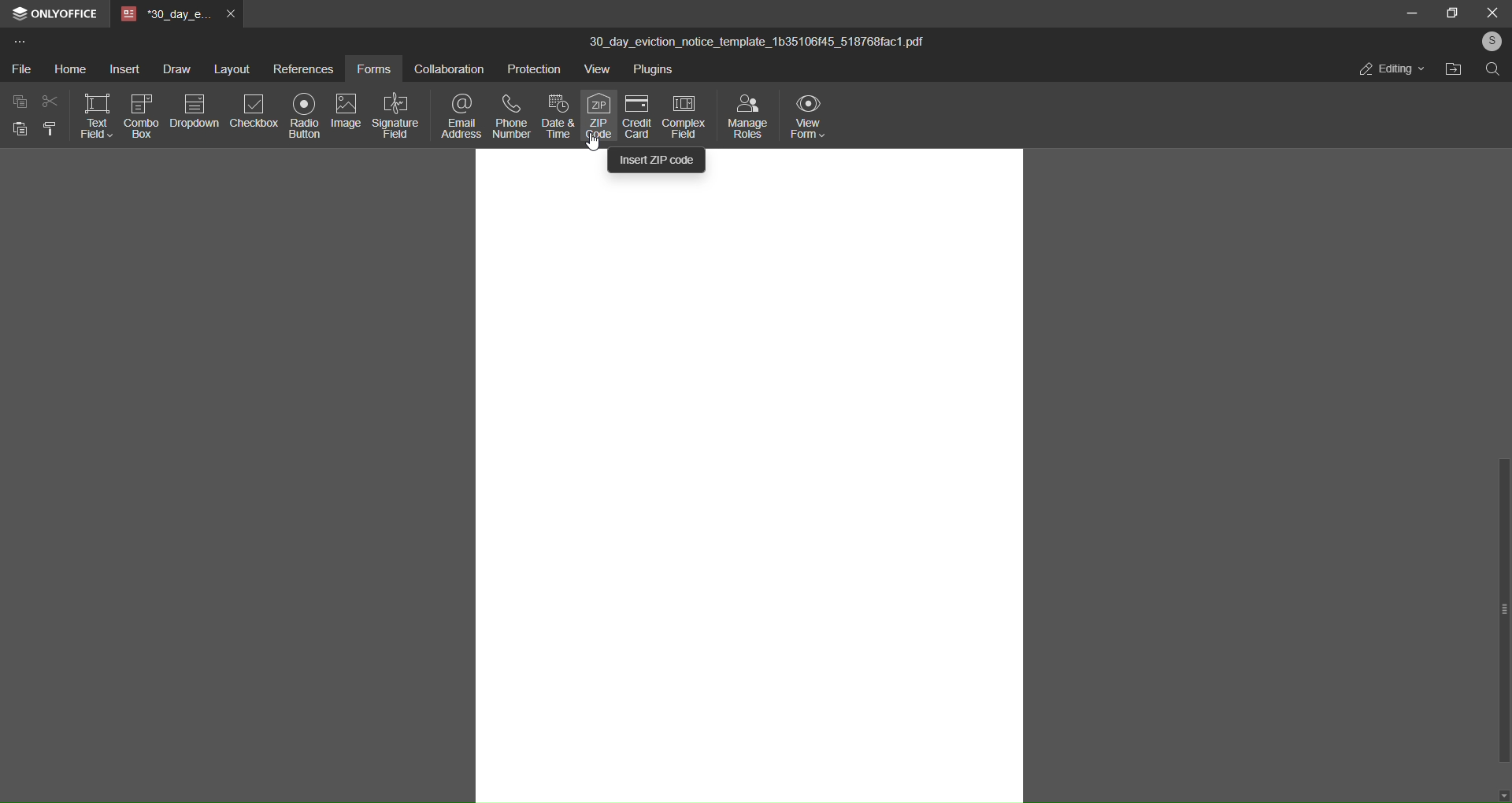 Image resolution: width=1512 pixels, height=803 pixels. Describe the element at coordinates (508, 116) in the screenshot. I see `phone number` at that location.